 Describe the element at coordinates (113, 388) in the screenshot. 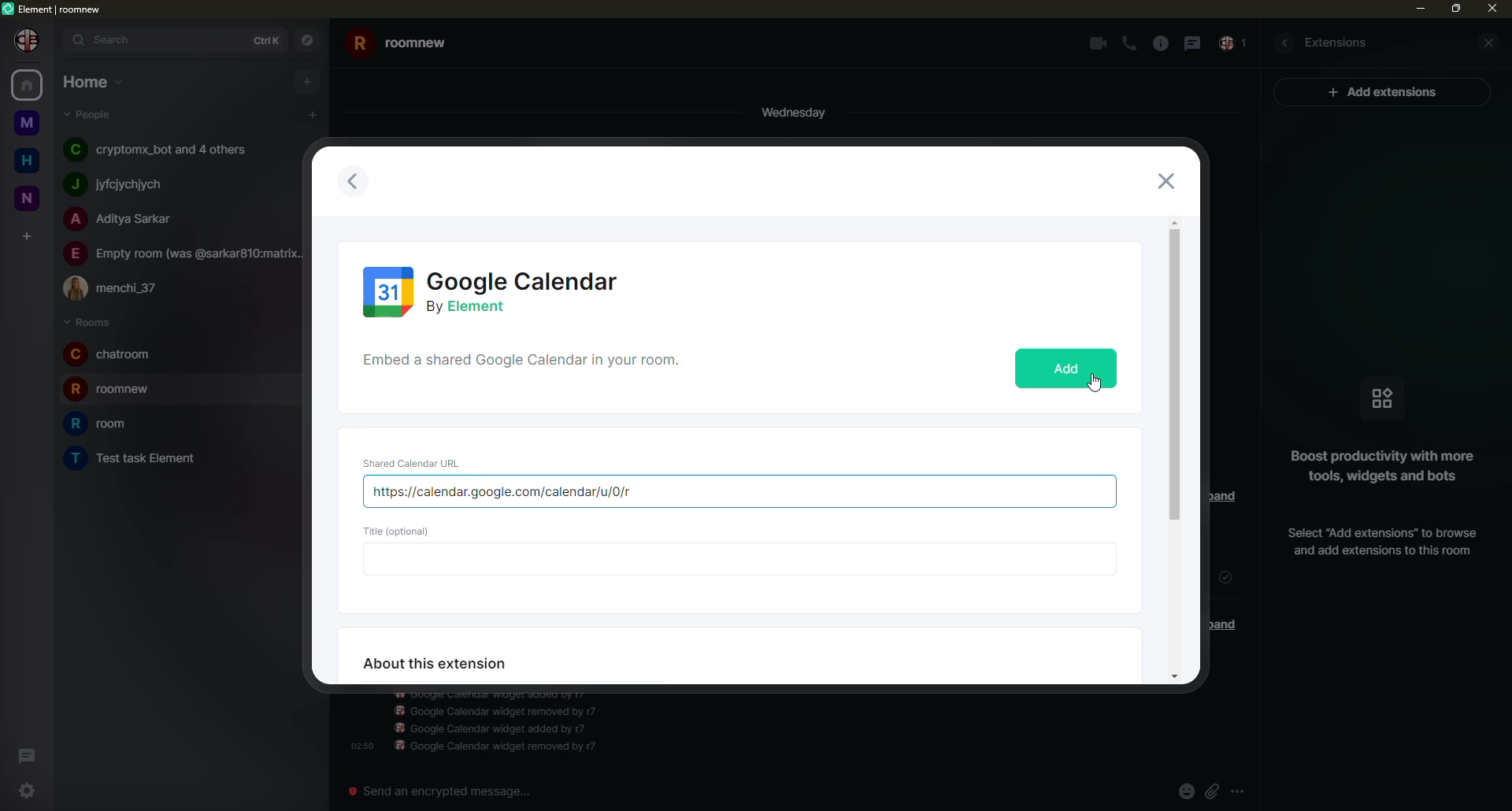

I see `room` at that location.